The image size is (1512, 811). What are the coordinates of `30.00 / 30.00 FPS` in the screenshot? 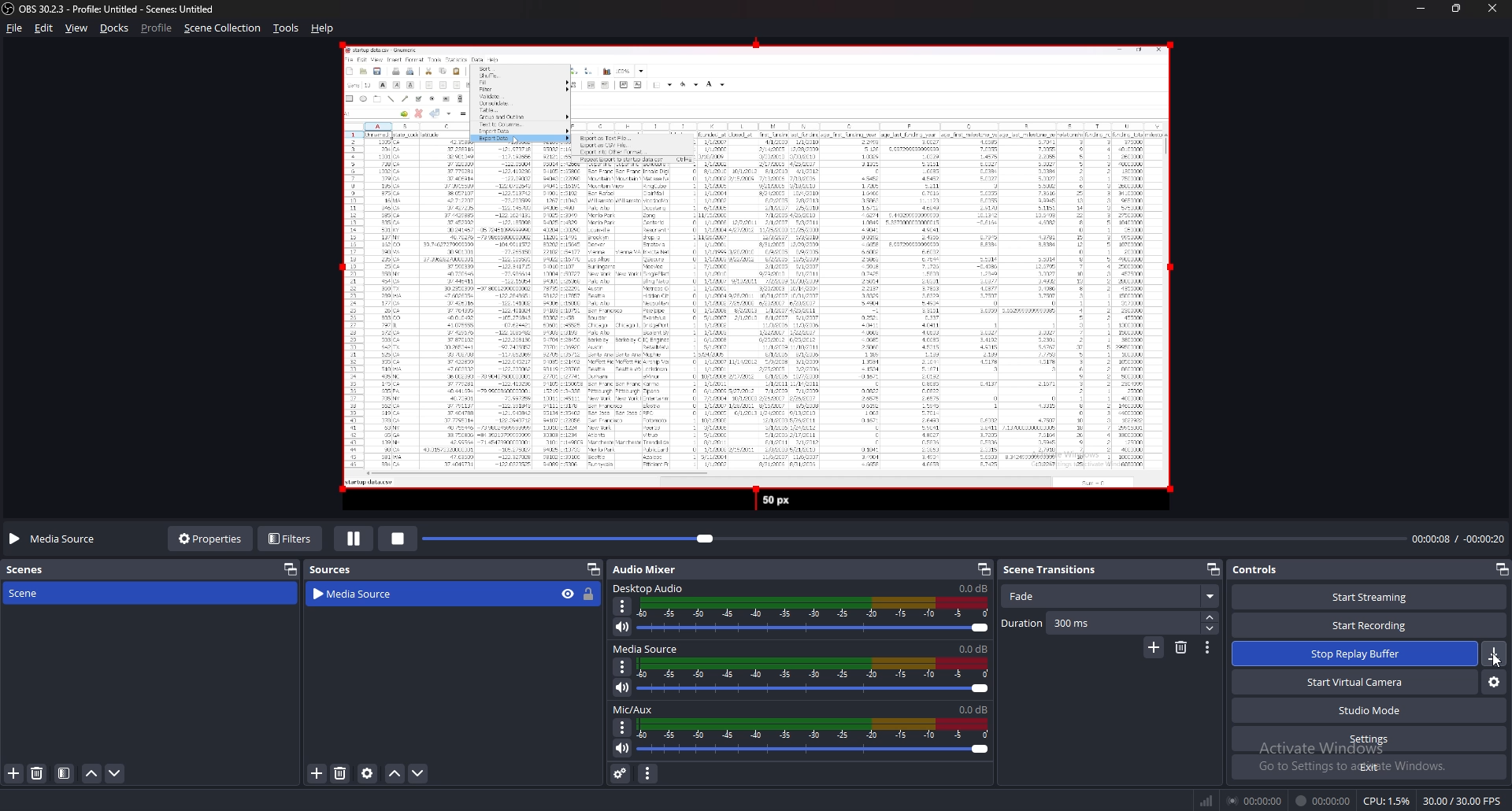 It's located at (1462, 801).